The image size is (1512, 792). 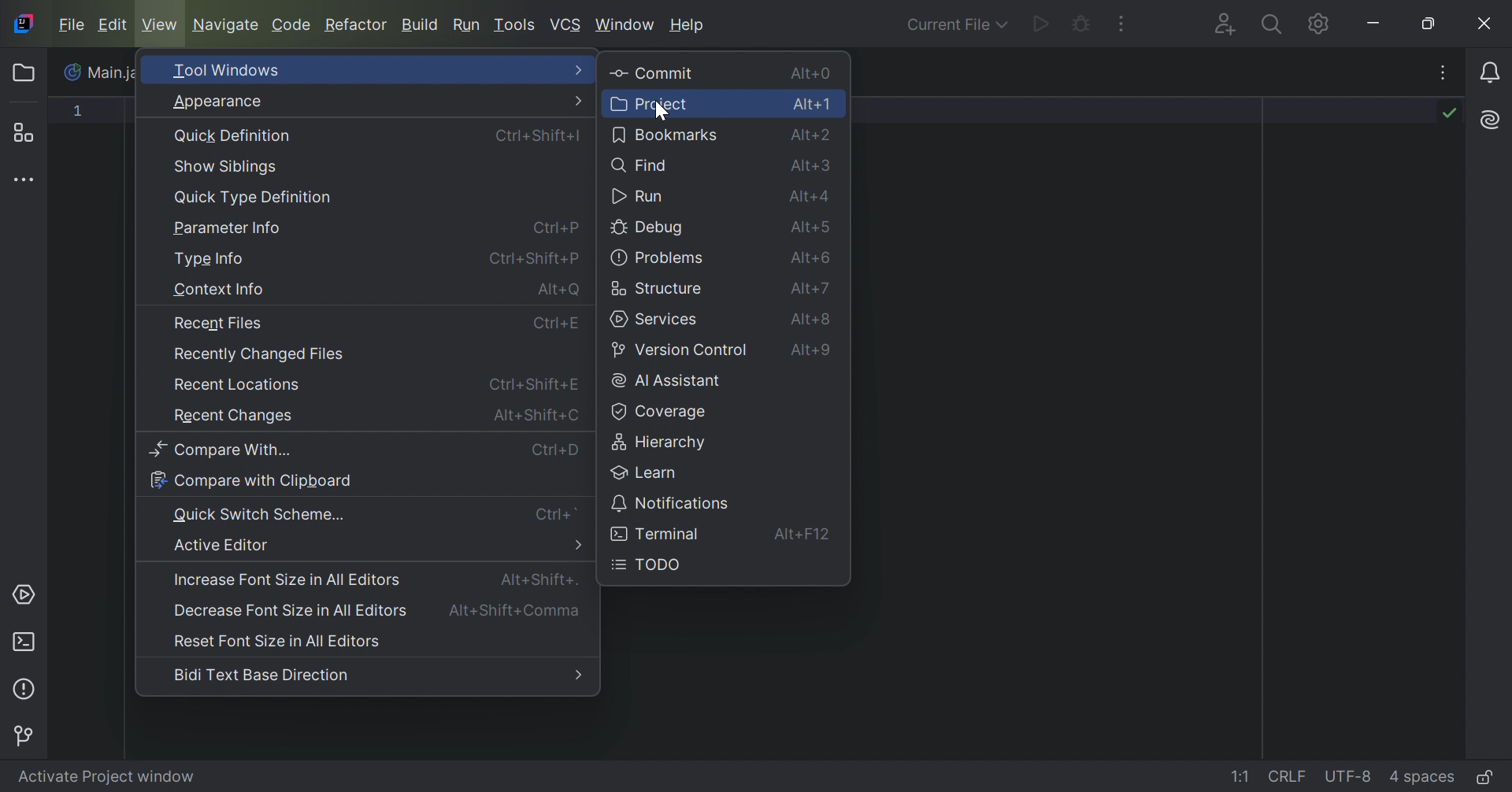 What do you see at coordinates (802, 534) in the screenshot?
I see `Alt+F12` at bounding box center [802, 534].